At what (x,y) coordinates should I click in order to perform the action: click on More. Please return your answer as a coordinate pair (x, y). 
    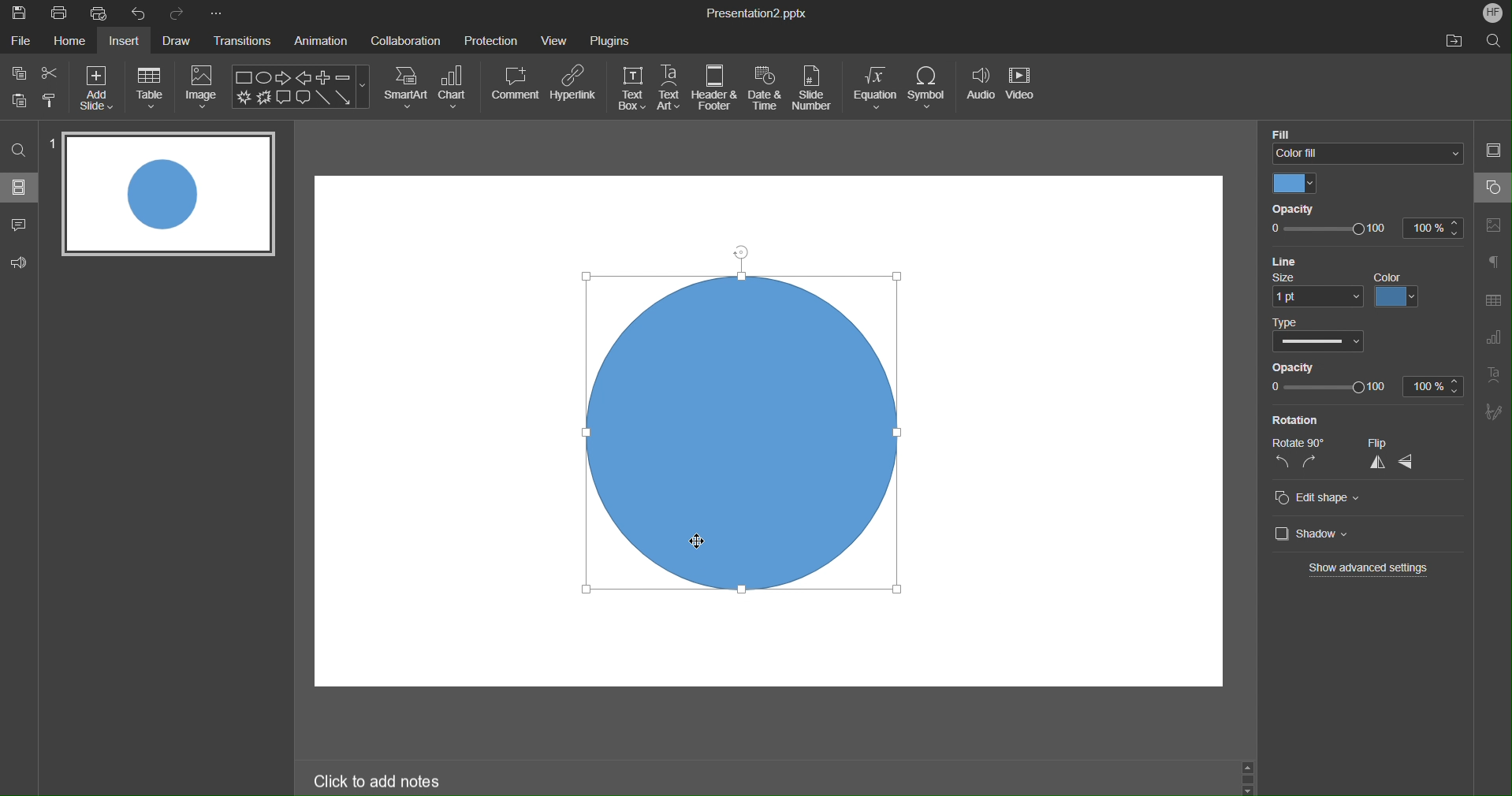
    Looking at the image, I should click on (216, 13).